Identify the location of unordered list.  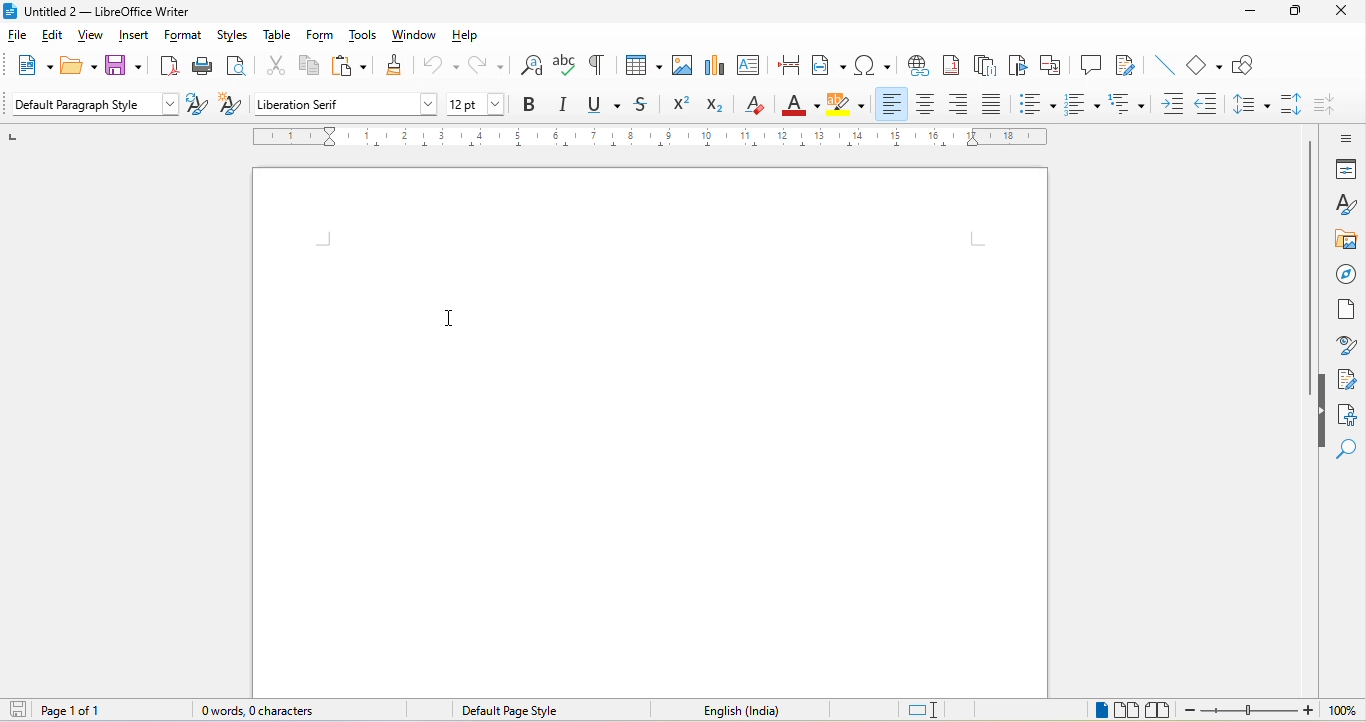
(1037, 105).